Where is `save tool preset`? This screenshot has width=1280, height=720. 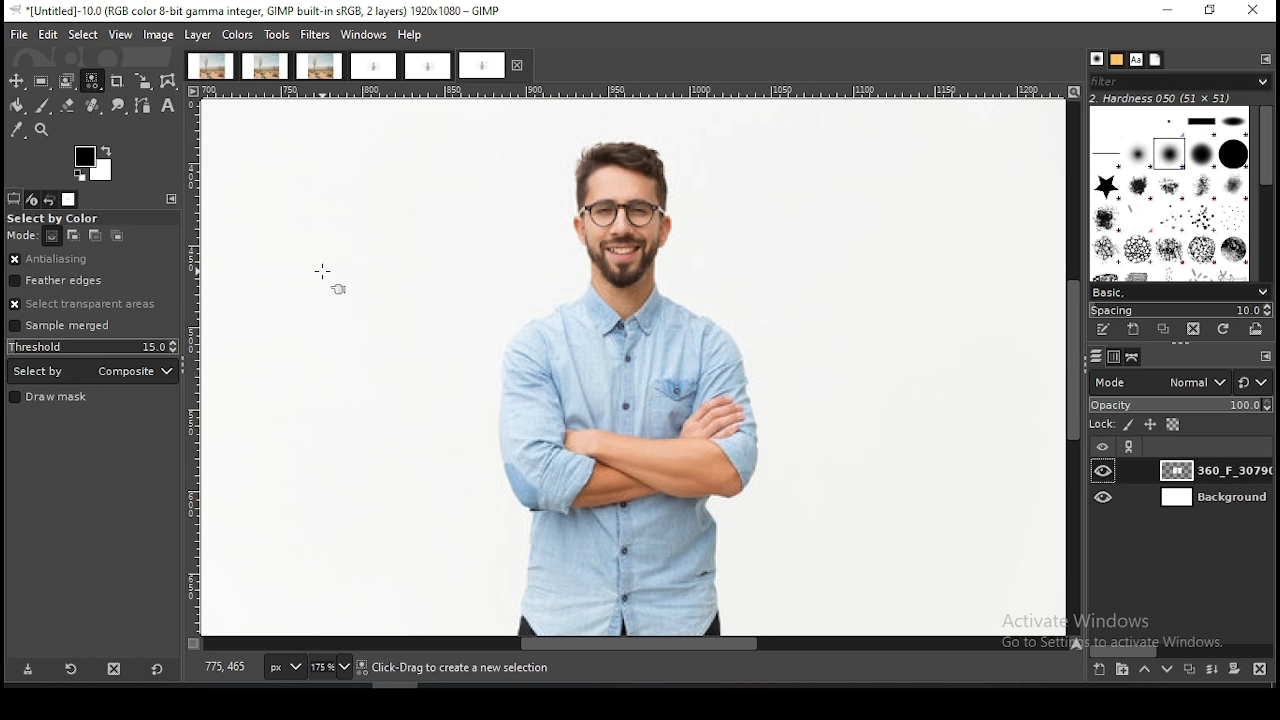 save tool preset is located at coordinates (27, 669).